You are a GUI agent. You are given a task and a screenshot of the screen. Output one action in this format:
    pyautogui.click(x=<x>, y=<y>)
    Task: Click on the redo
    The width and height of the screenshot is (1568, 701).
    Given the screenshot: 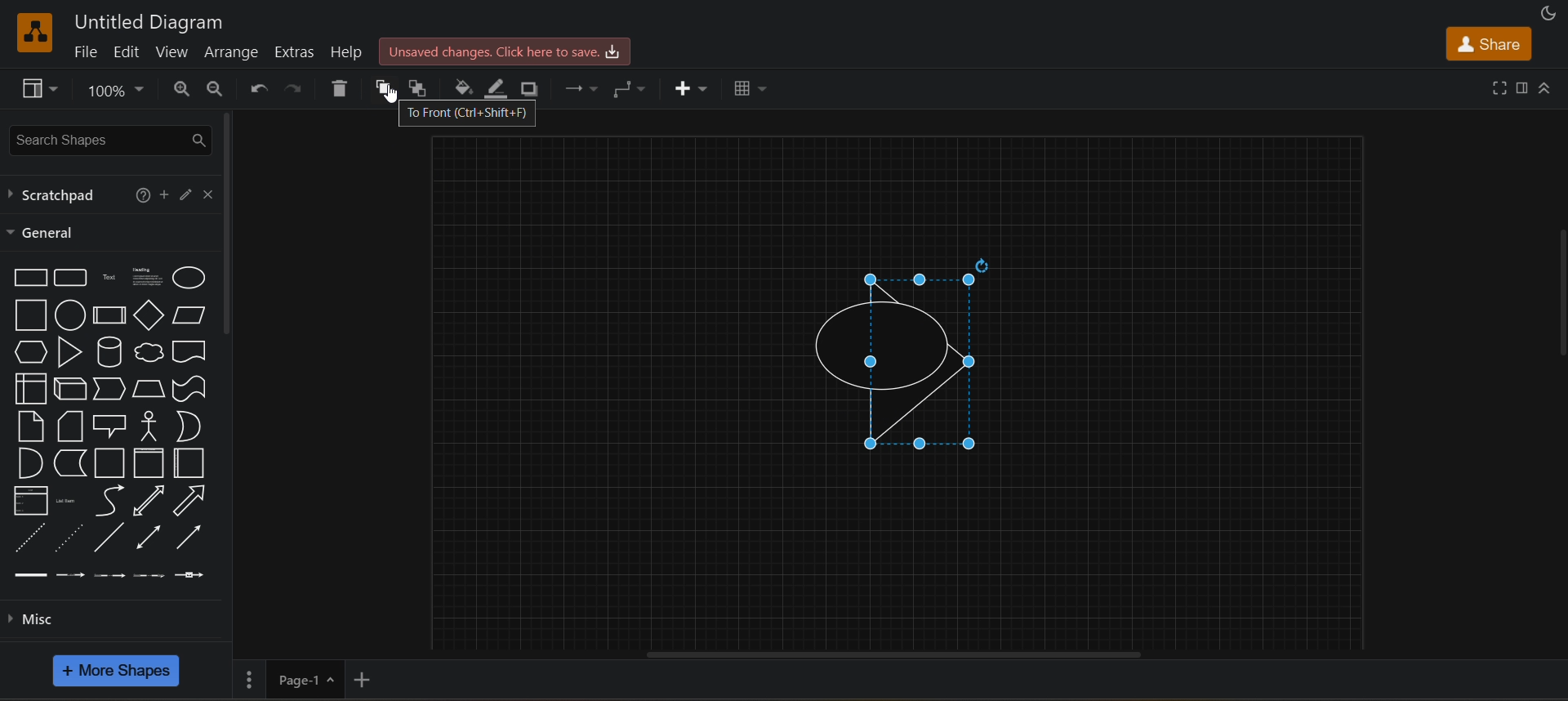 What is the action you would take?
    pyautogui.click(x=292, y=87)
    